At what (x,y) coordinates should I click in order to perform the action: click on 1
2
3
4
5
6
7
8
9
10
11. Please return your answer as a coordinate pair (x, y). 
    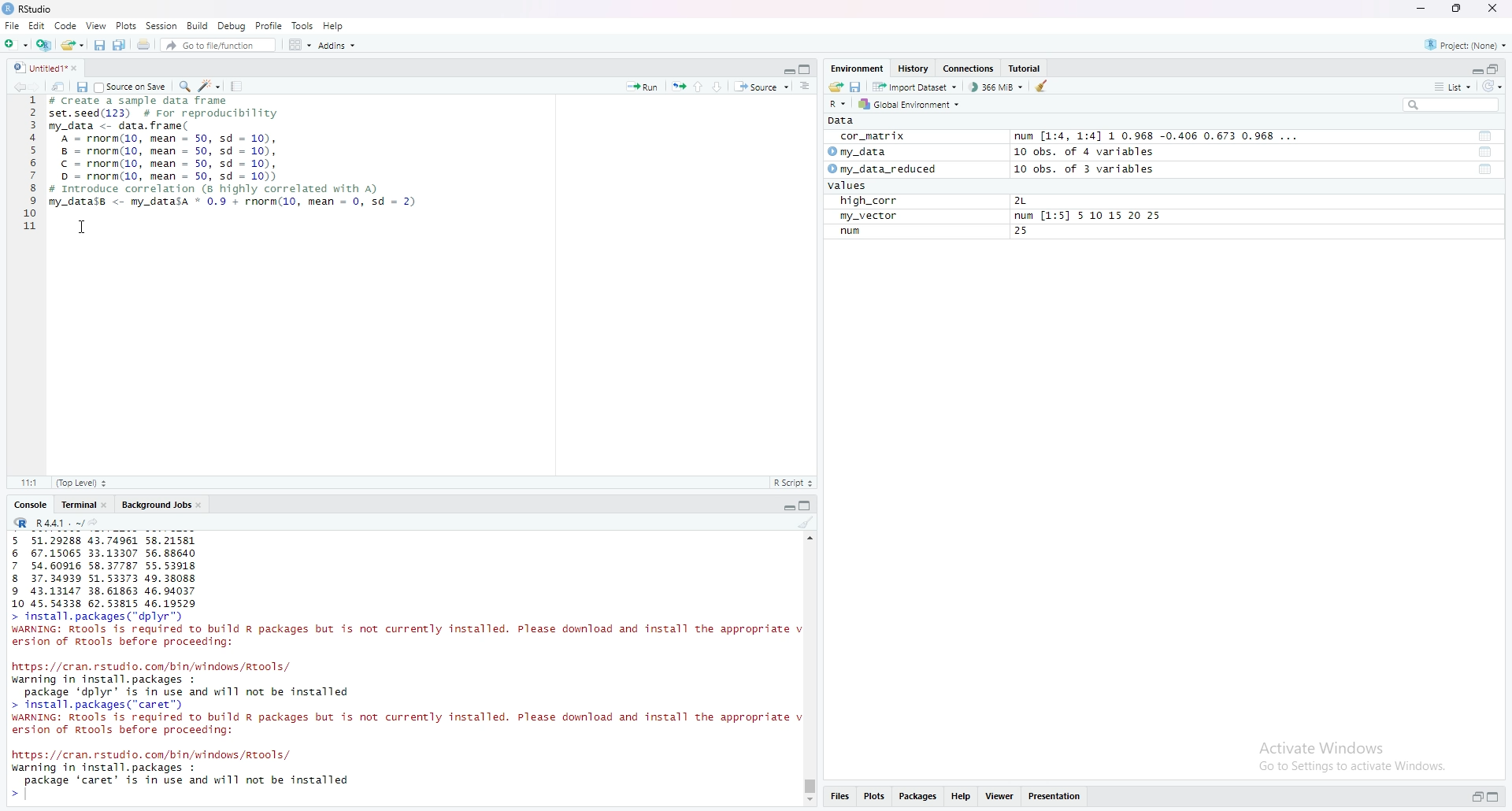
    Looking at the image, I should click on (31, 167).